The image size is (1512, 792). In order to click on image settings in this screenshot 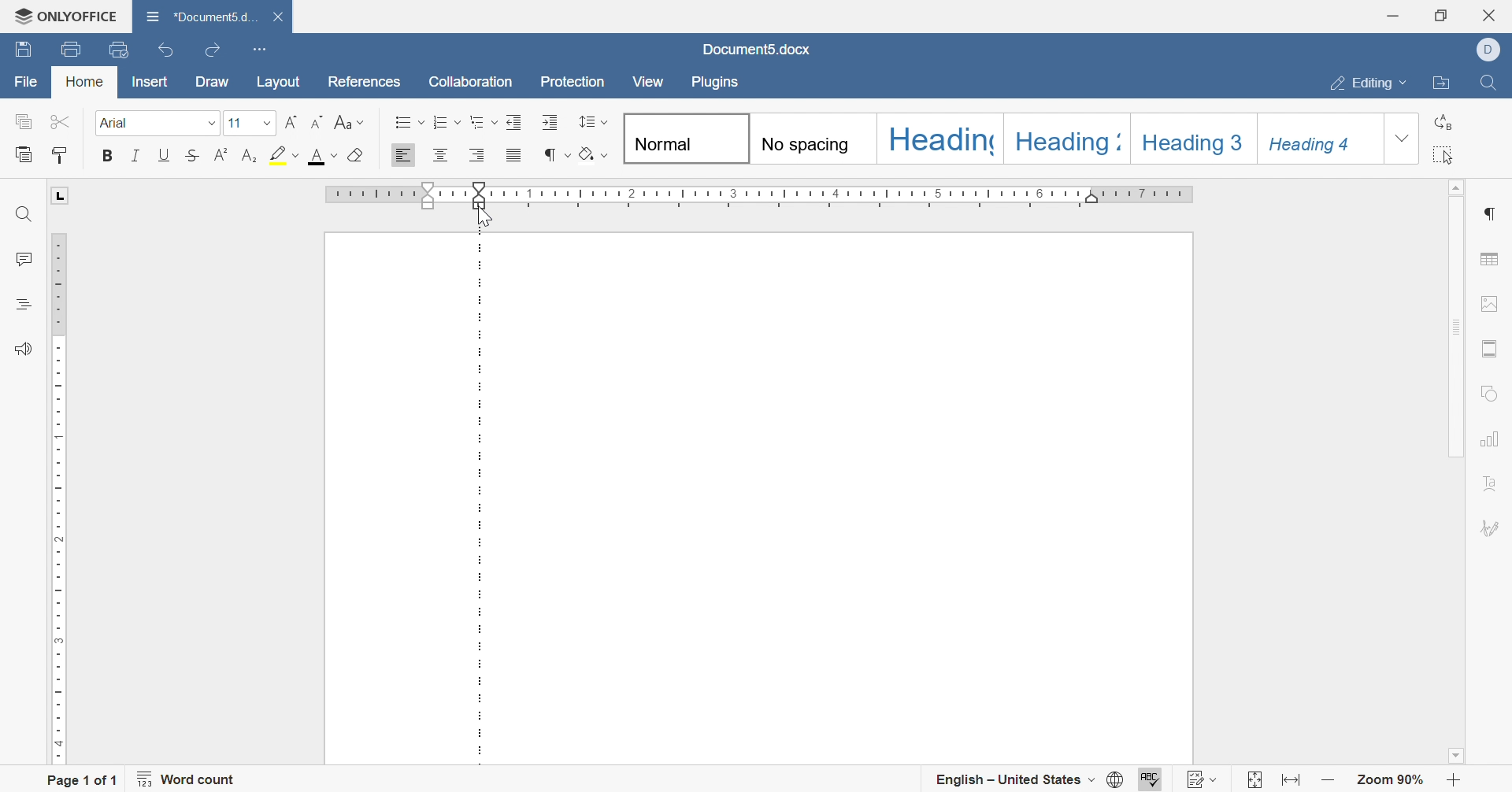, I will do `click(1491, 301)`.